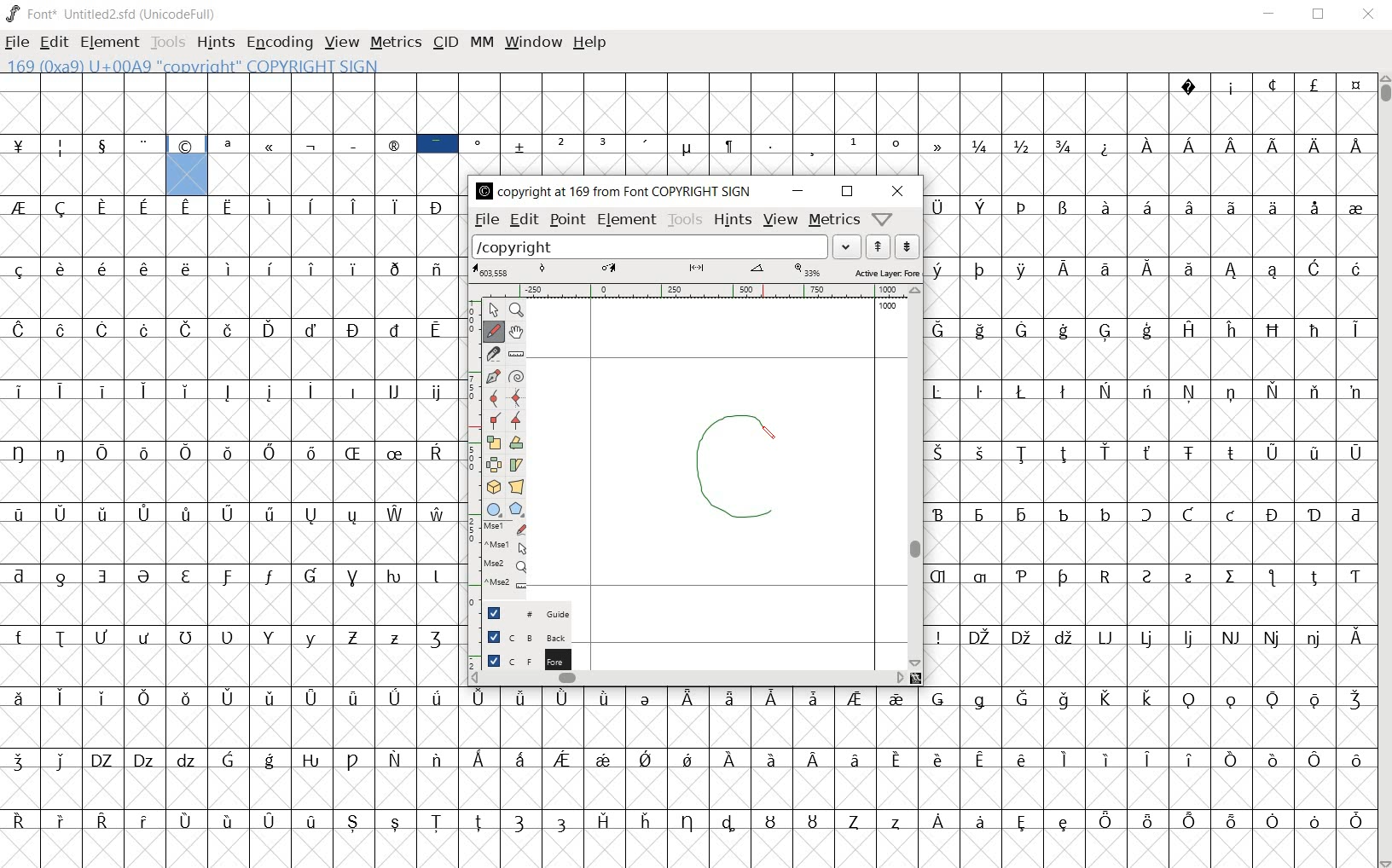 Image resolution: width=1392 pixels, height=868 pixels. Describe the element at coordinates (612, 192) in the screenshot. I see `COPYRIGHT AT 169 FROM FONT COPYRIGHT SIGN` at that location.